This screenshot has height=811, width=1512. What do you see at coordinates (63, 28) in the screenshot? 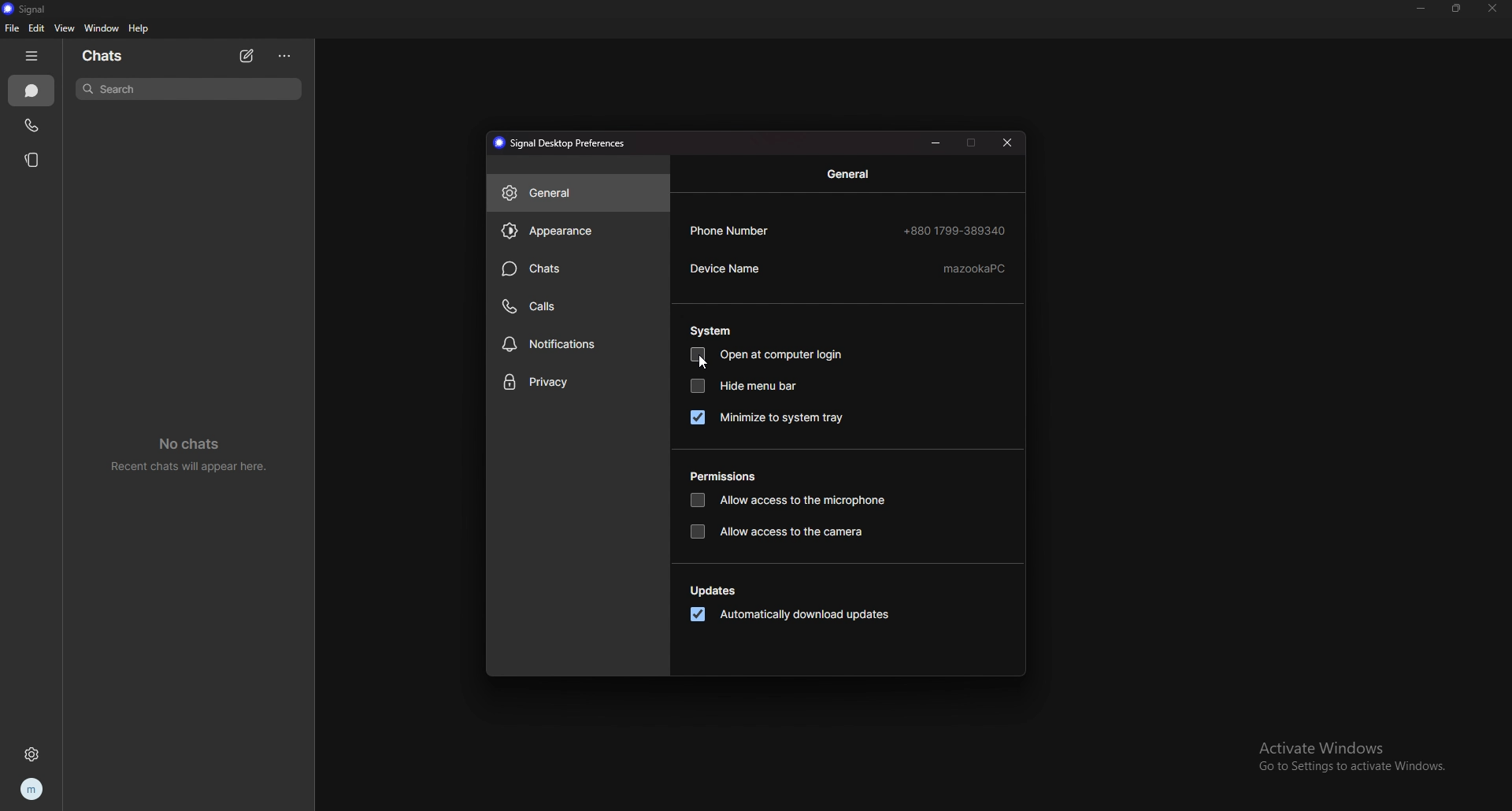
I see `view` at bounding box center [63, 28].